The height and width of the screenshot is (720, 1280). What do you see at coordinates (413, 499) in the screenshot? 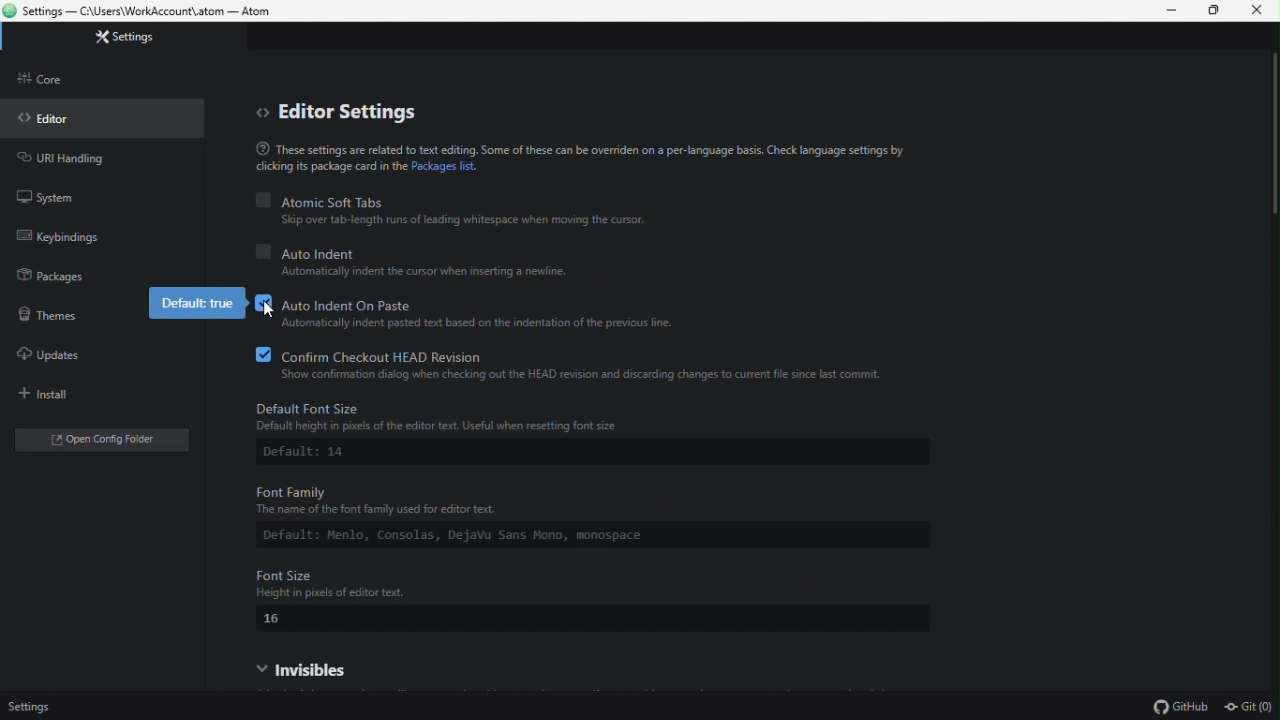
I see `Font Family
‘The name of the font family used for editor text.` at bounding box center [413, 499].